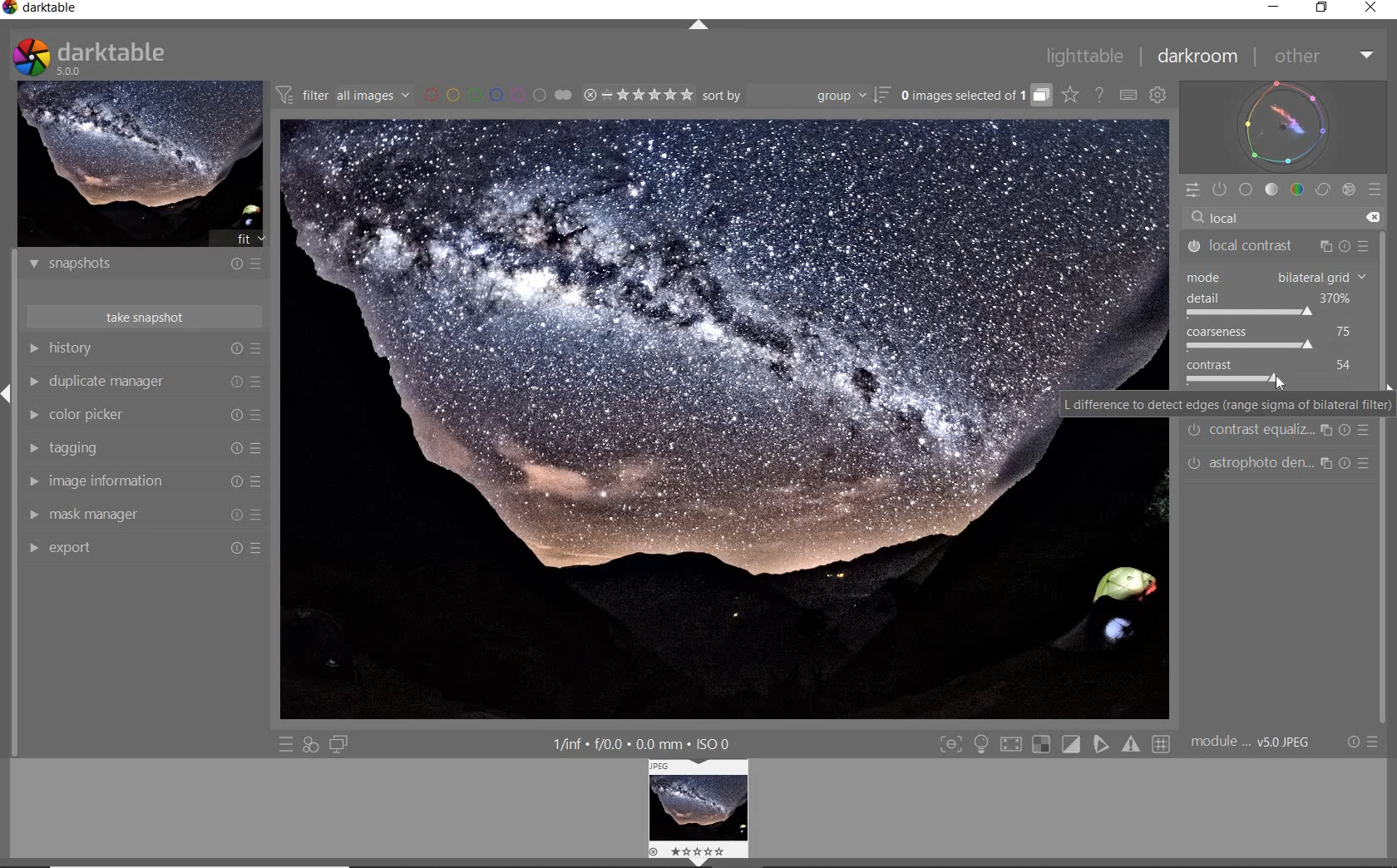 The image size is (1397, 868). What do you see at coordinates (1348, 190) in the screenshot?
I see `EFFECT` at bounding box center [1348, 190].